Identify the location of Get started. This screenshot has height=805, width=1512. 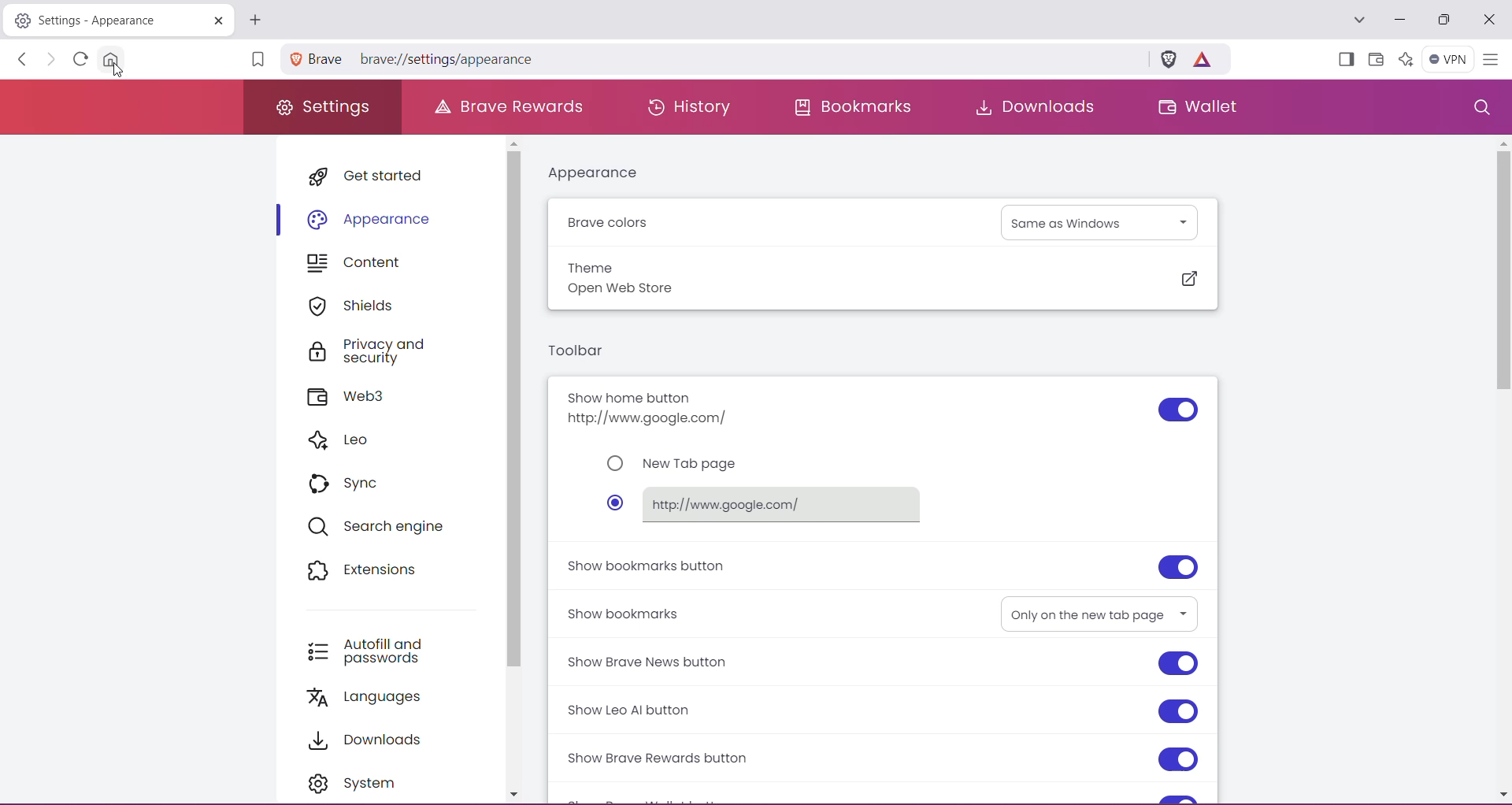
(375, 175).